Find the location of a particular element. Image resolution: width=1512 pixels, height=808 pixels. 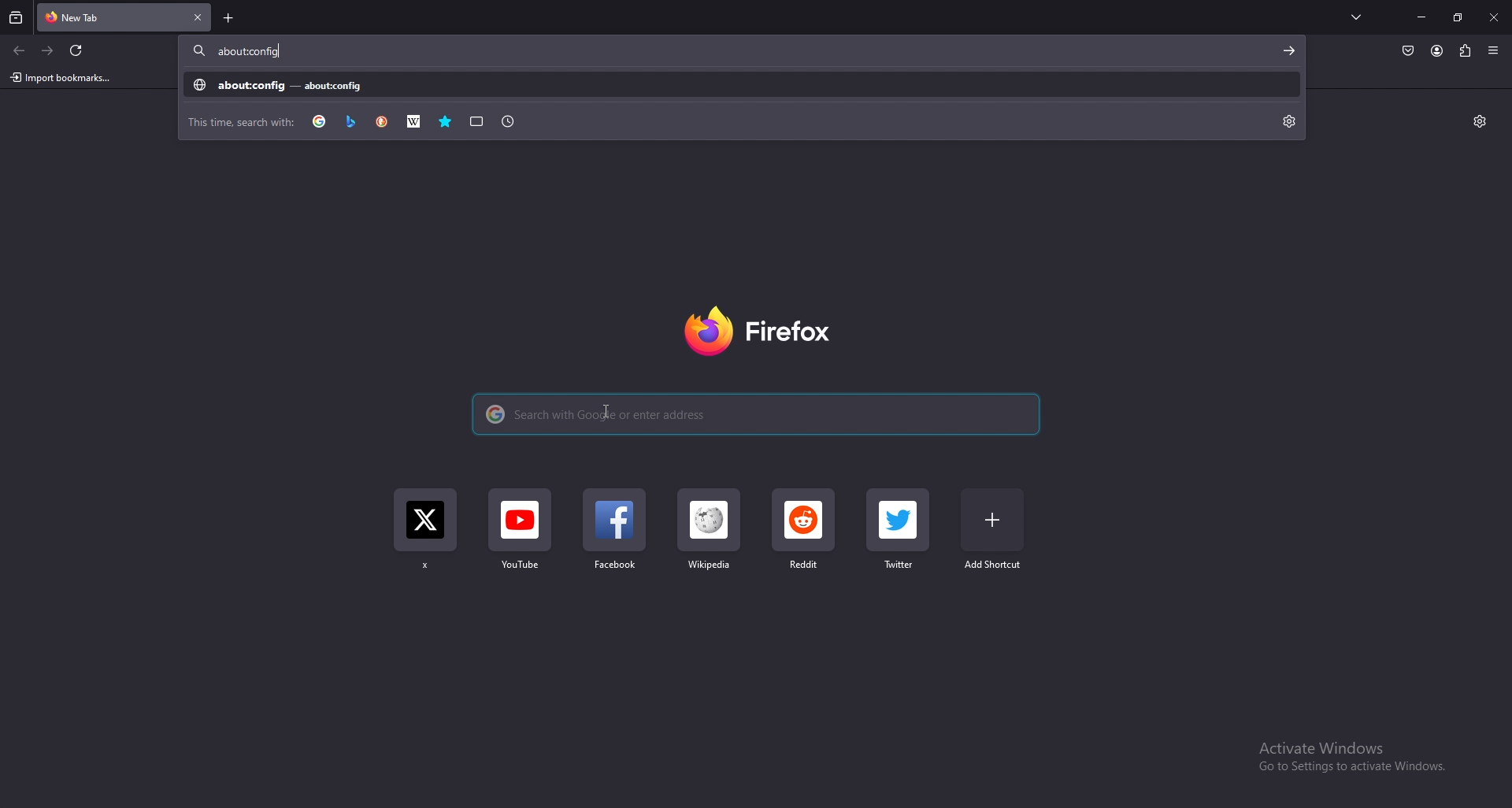

bookmarks is located at coordinates (446, 121).